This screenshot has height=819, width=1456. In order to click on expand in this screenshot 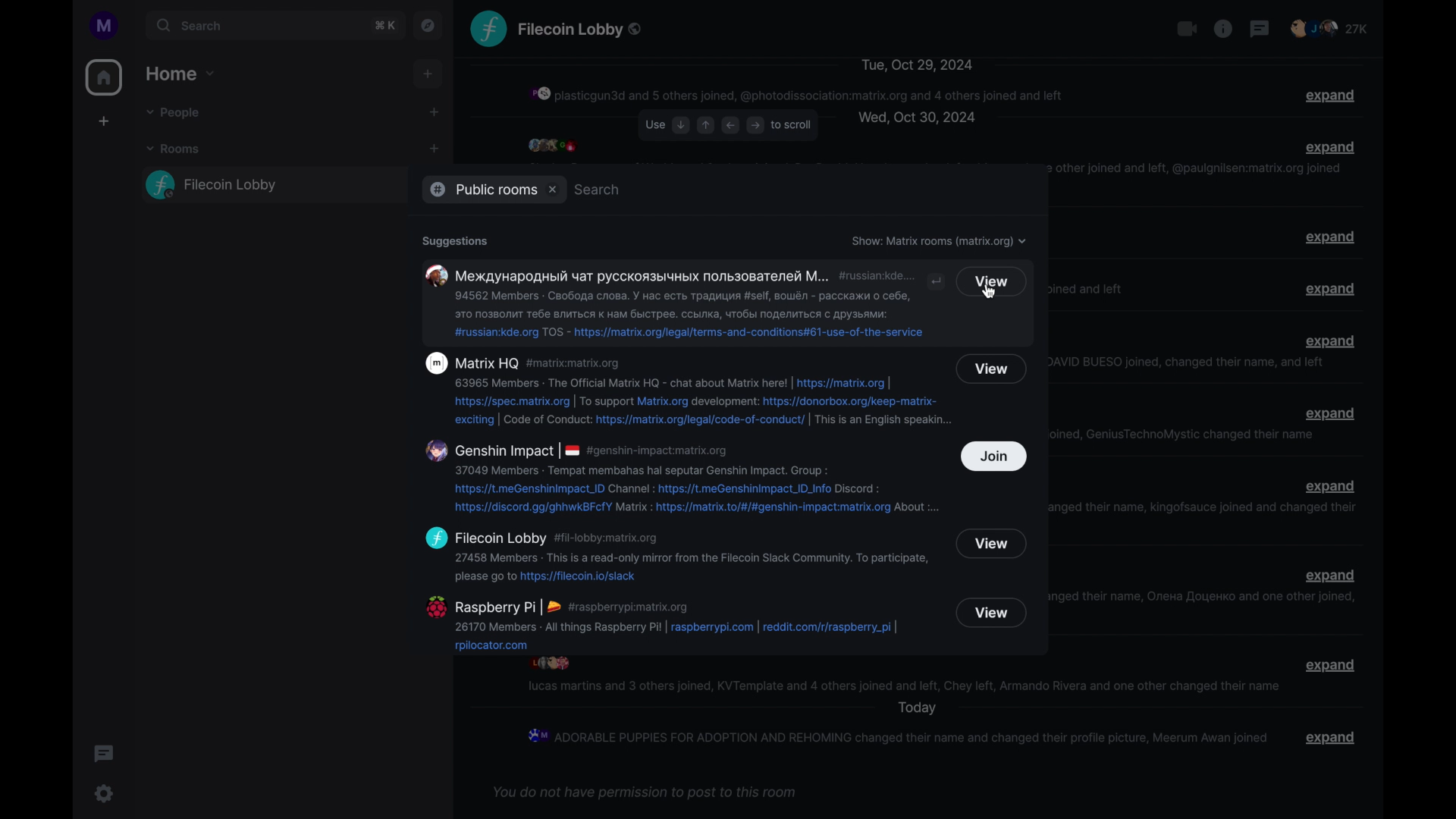, I will do `click(1331, 666)`.